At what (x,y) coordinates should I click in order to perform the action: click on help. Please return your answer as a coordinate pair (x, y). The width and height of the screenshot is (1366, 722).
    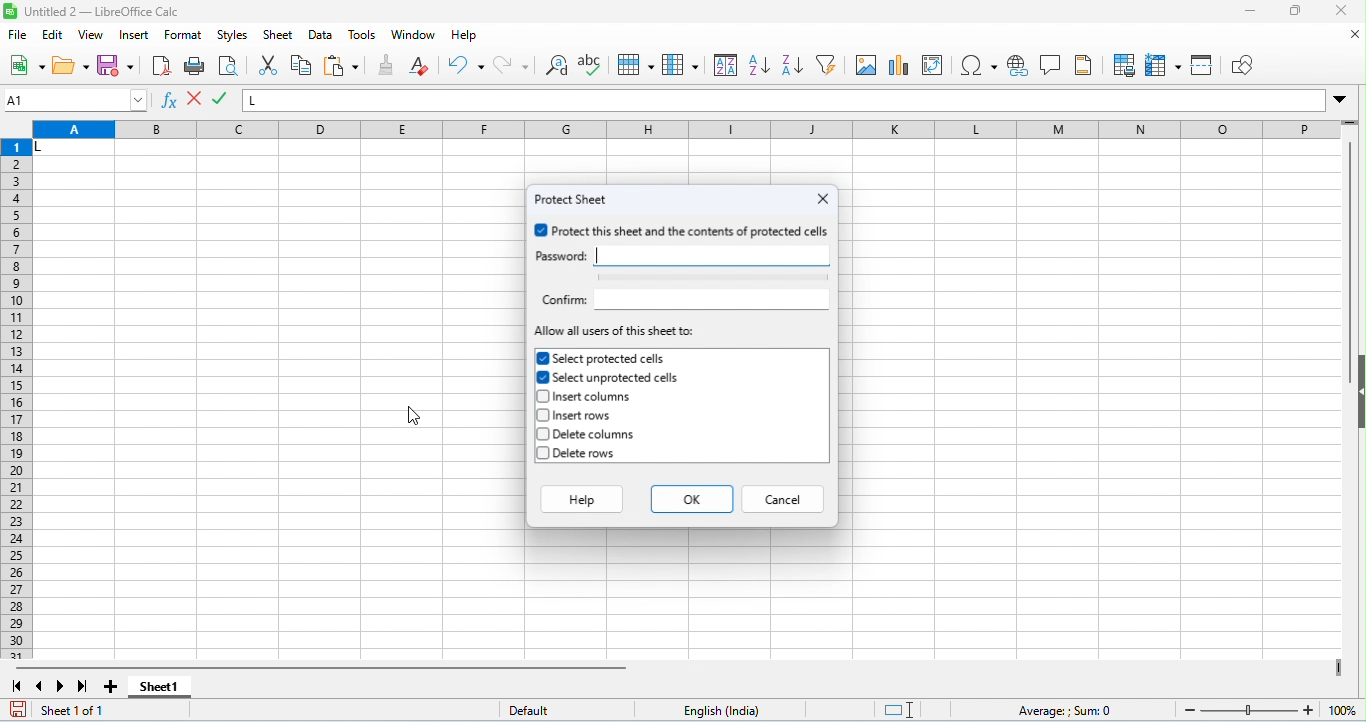
    Looking at the image, I should click on (580, 498).